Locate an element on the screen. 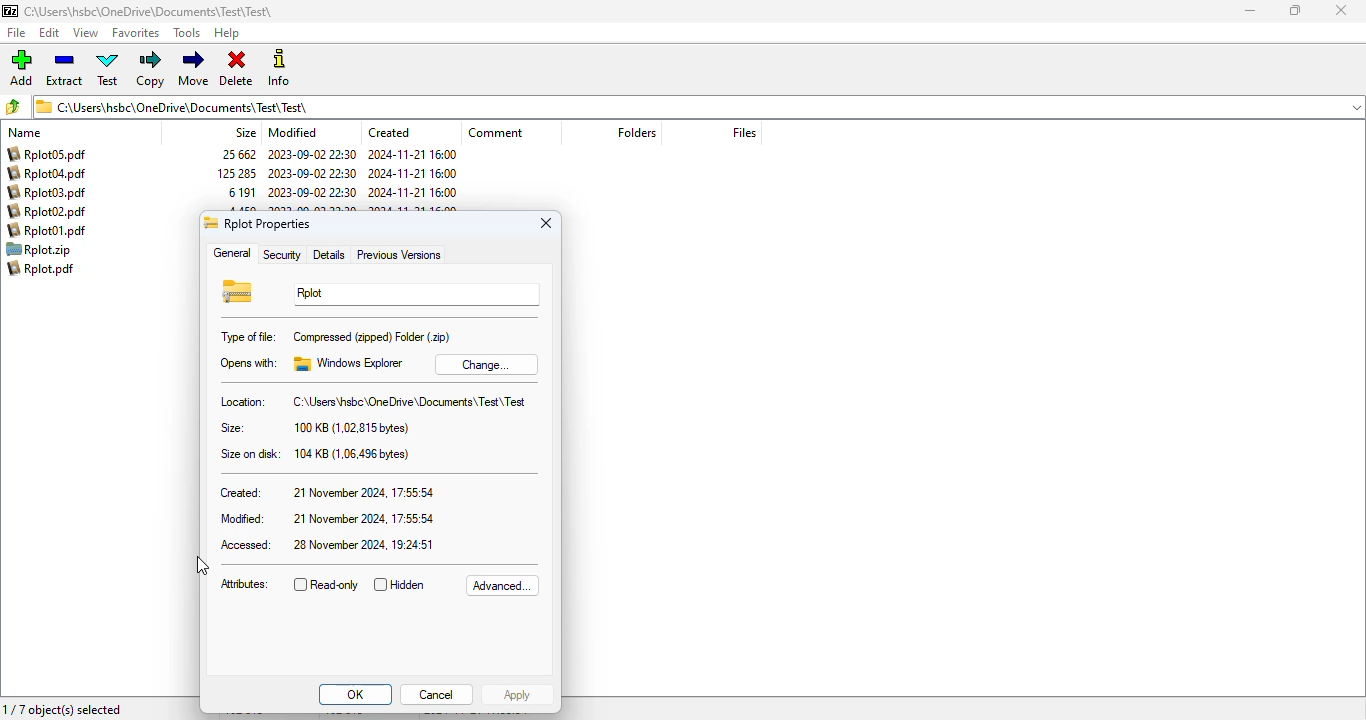 This screenshot has width=1366, height=720. 1/7 object(s) selected is located at coordinates (63, 710).